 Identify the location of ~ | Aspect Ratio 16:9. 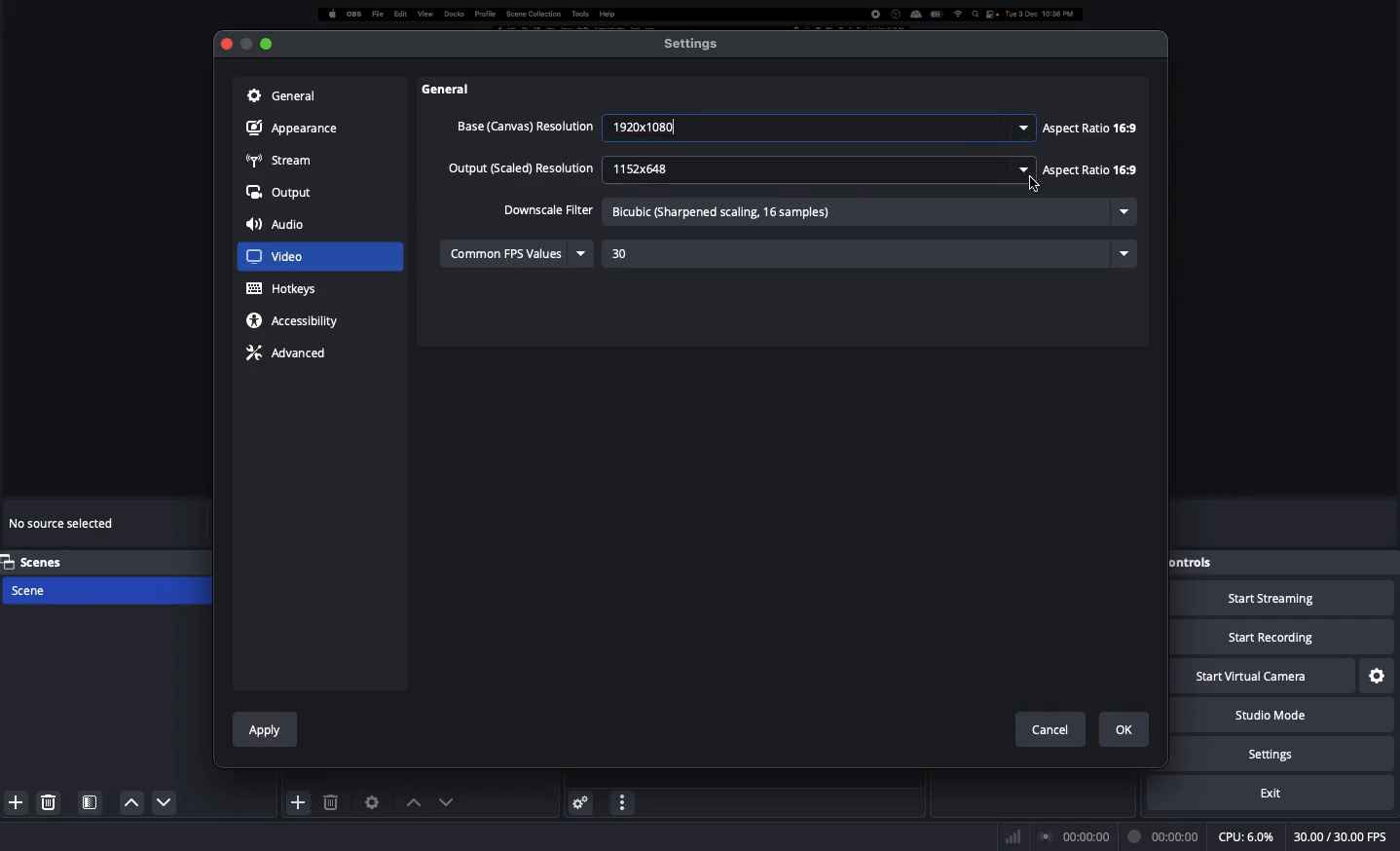
(1088, 128).